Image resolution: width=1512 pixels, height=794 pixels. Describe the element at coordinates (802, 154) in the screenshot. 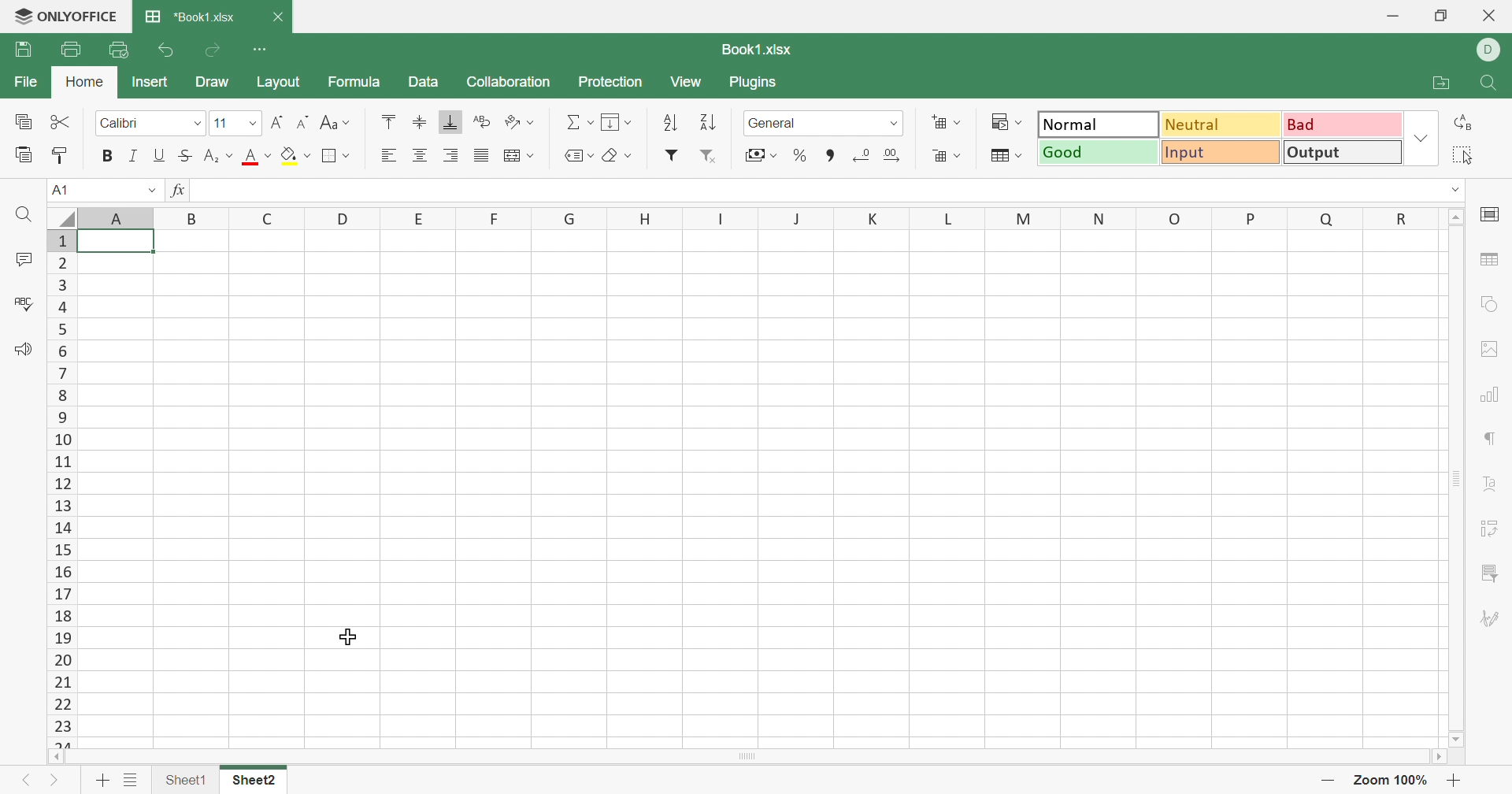

I see `Percentage style` at that location.